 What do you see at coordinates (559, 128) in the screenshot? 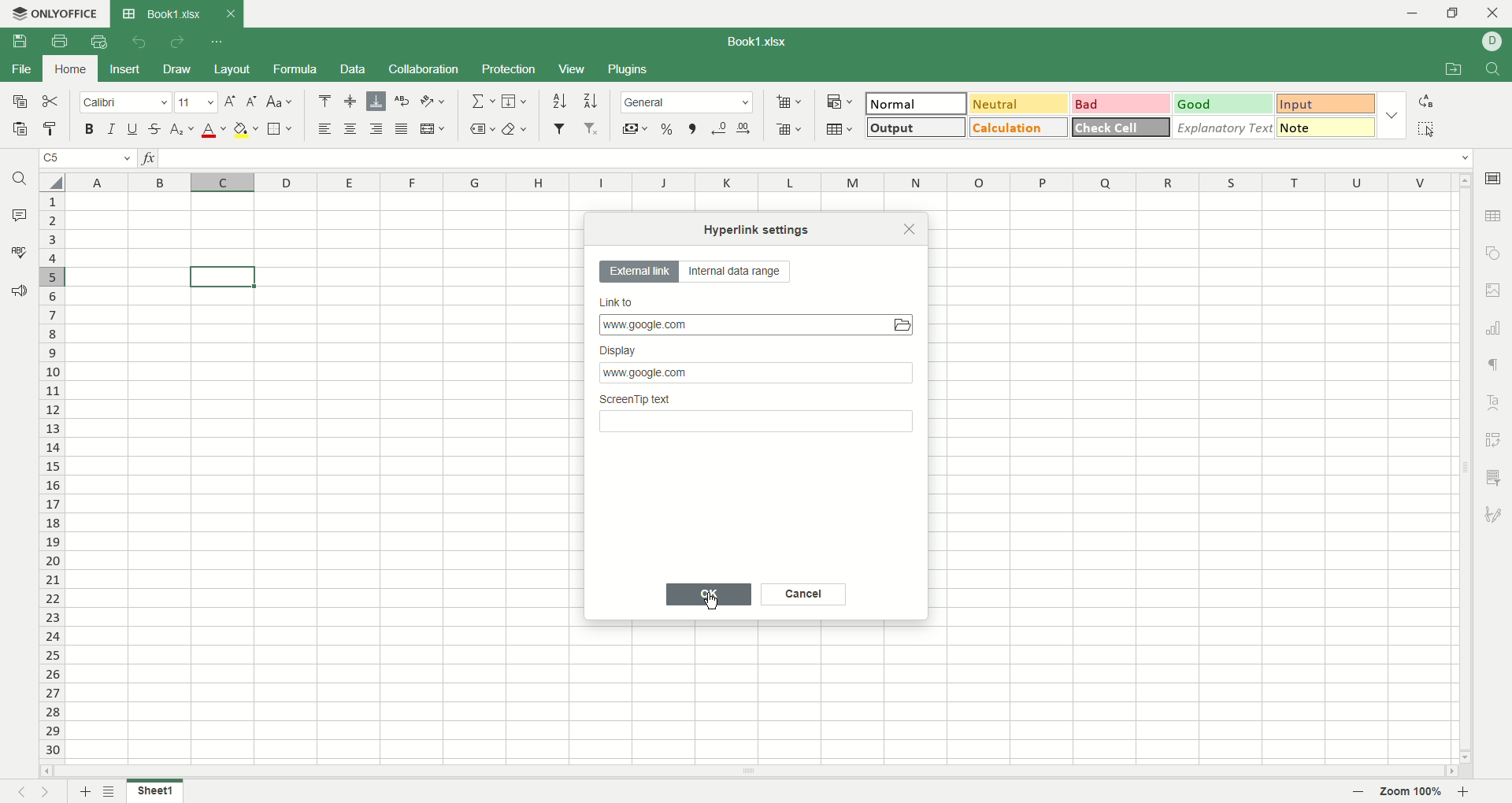
I see `filter` at bounding box center [559, 128].